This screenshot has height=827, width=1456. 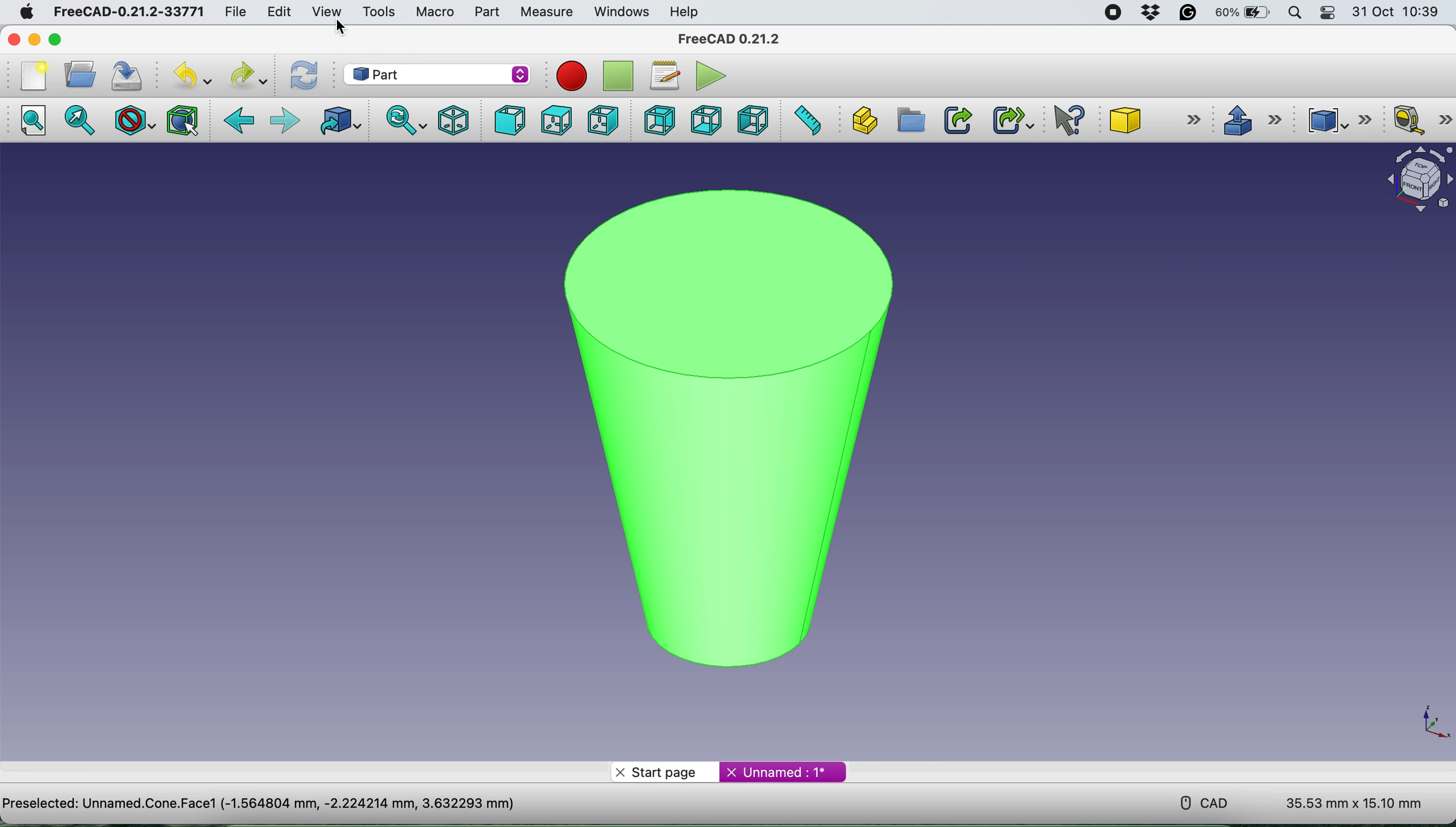 What do you see at coordinates (658, 122) in the screenshot?
I see `rear` at bounding box center [658, 122].